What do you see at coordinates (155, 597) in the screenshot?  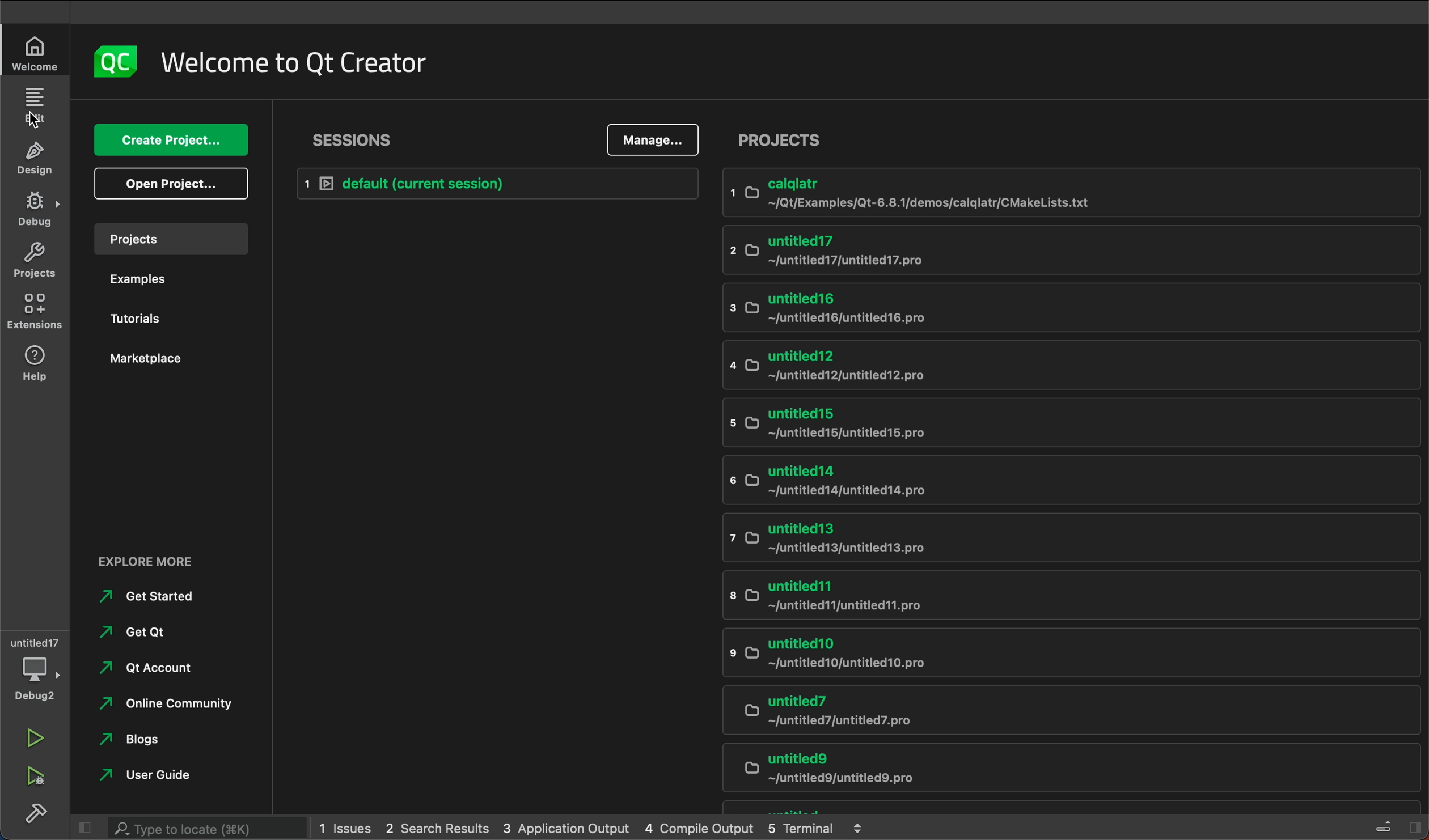 I see `started` at bounding box center [155, 597].